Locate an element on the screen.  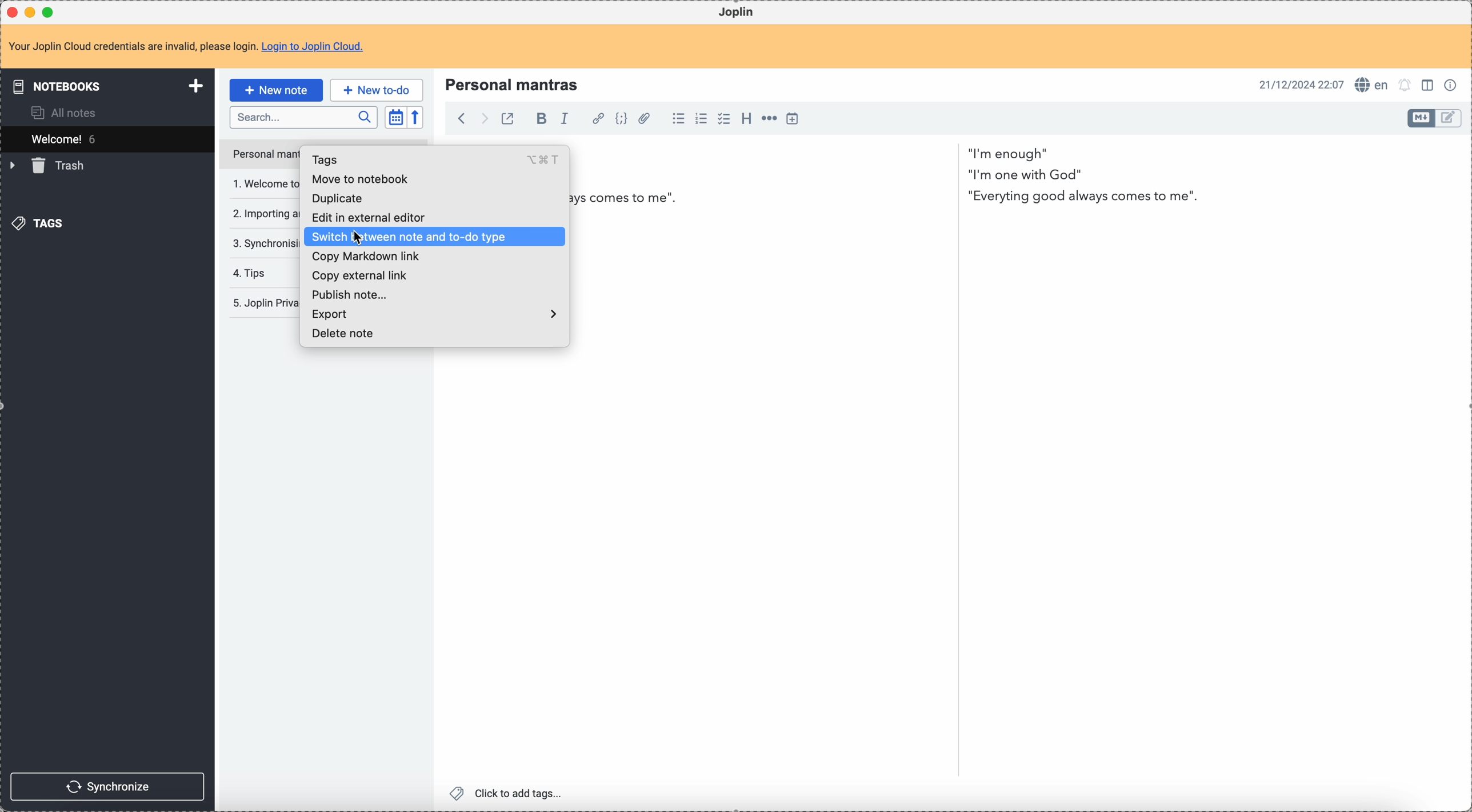
importing and exporting notes is located at coordinates (264, 216).